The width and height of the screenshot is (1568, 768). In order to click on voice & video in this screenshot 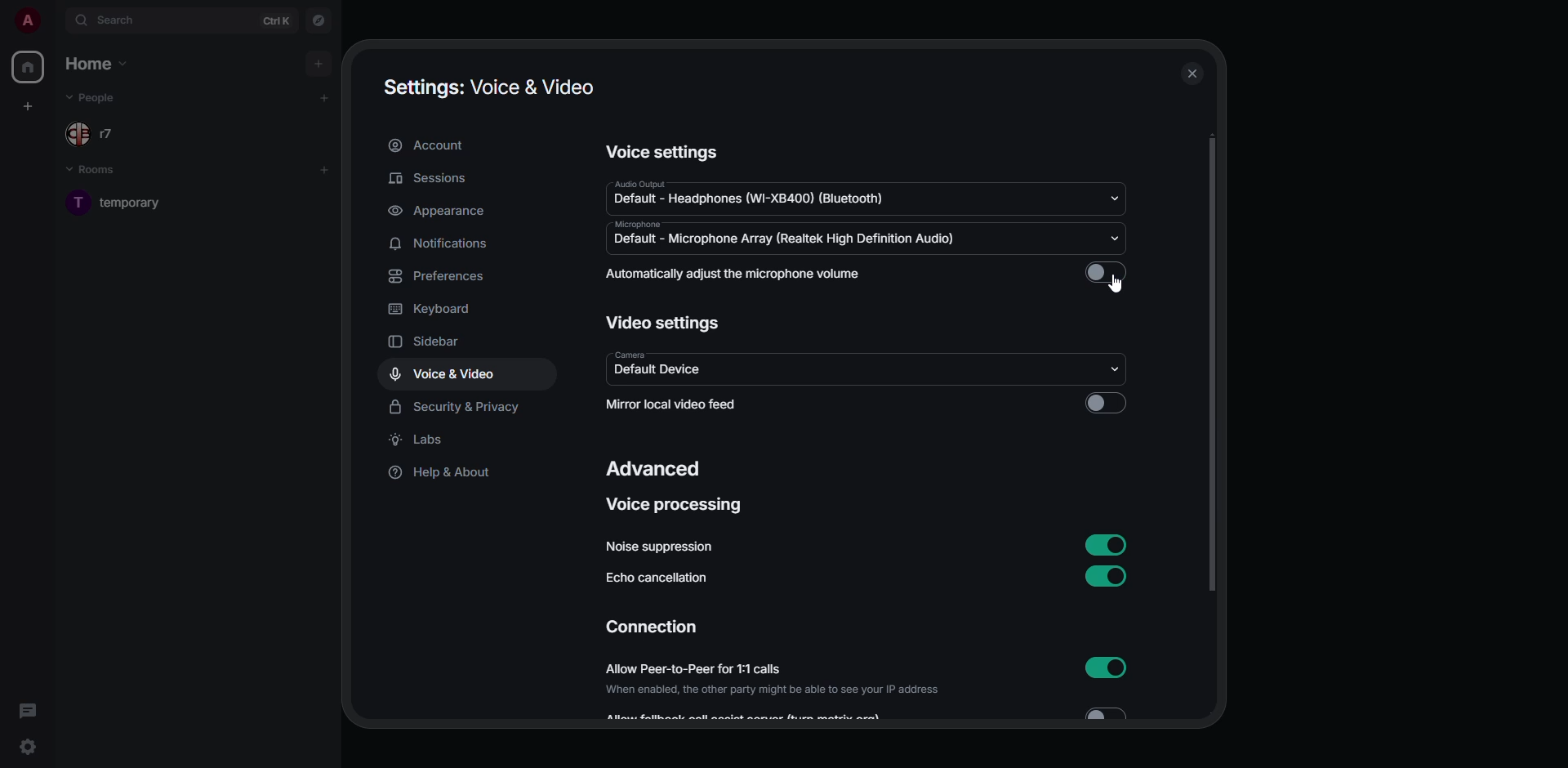, I will do `click(444, 373)`.